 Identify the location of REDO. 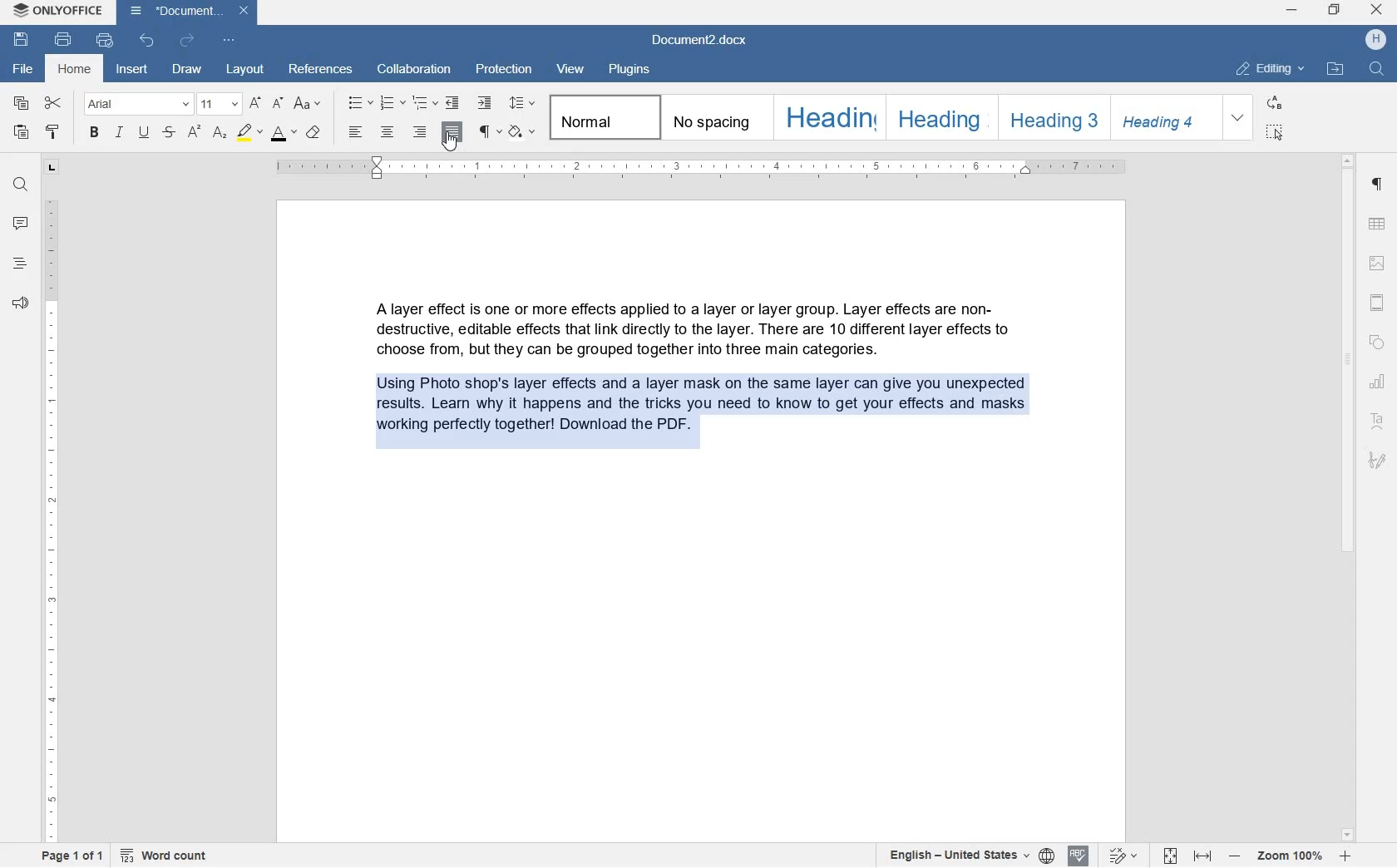
(186, 40).